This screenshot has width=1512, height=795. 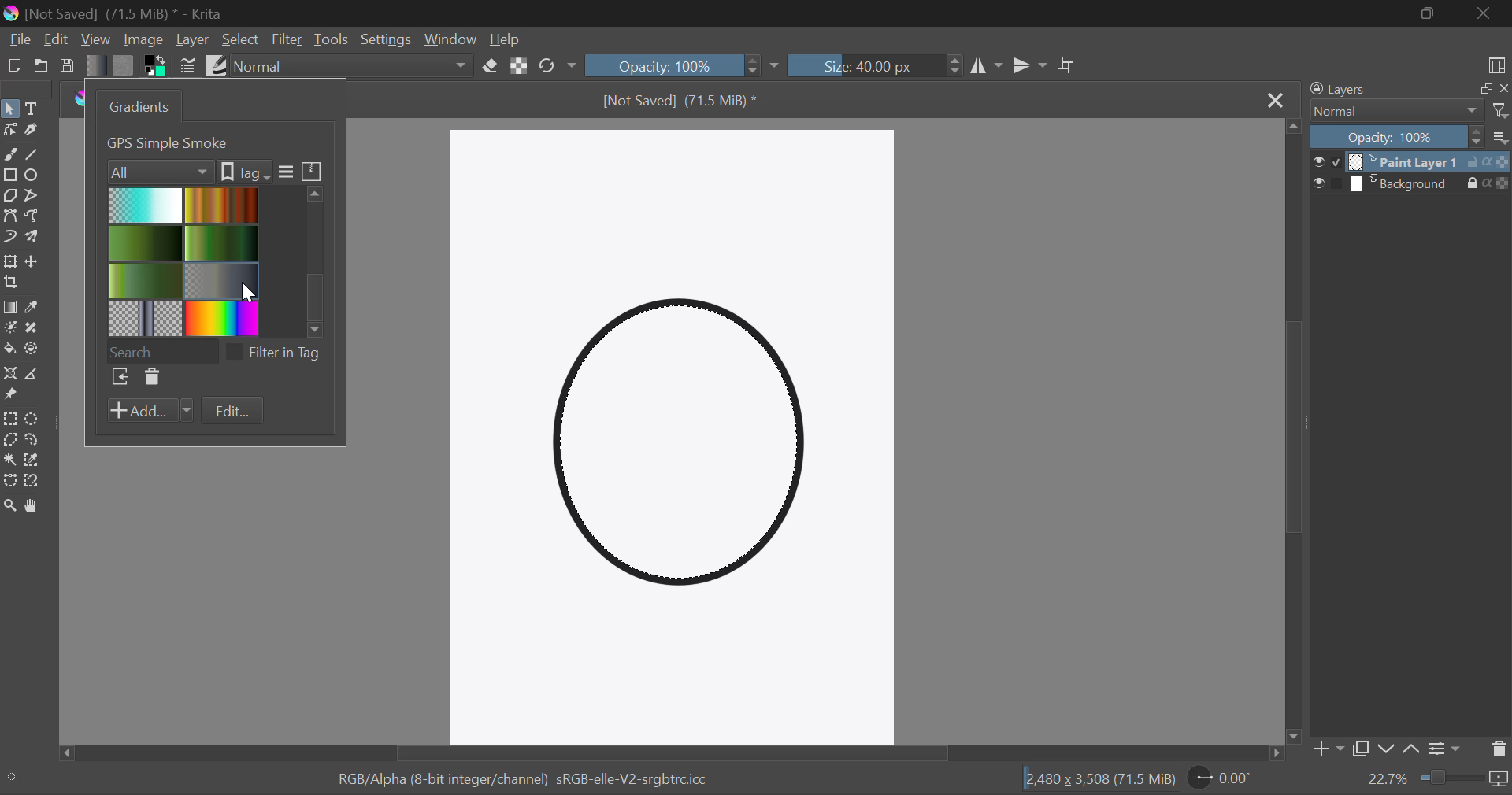 What do you see at coordinates (878, 65) in the screenshot?
I see `Brush Size` at bounding box center [878, 65].